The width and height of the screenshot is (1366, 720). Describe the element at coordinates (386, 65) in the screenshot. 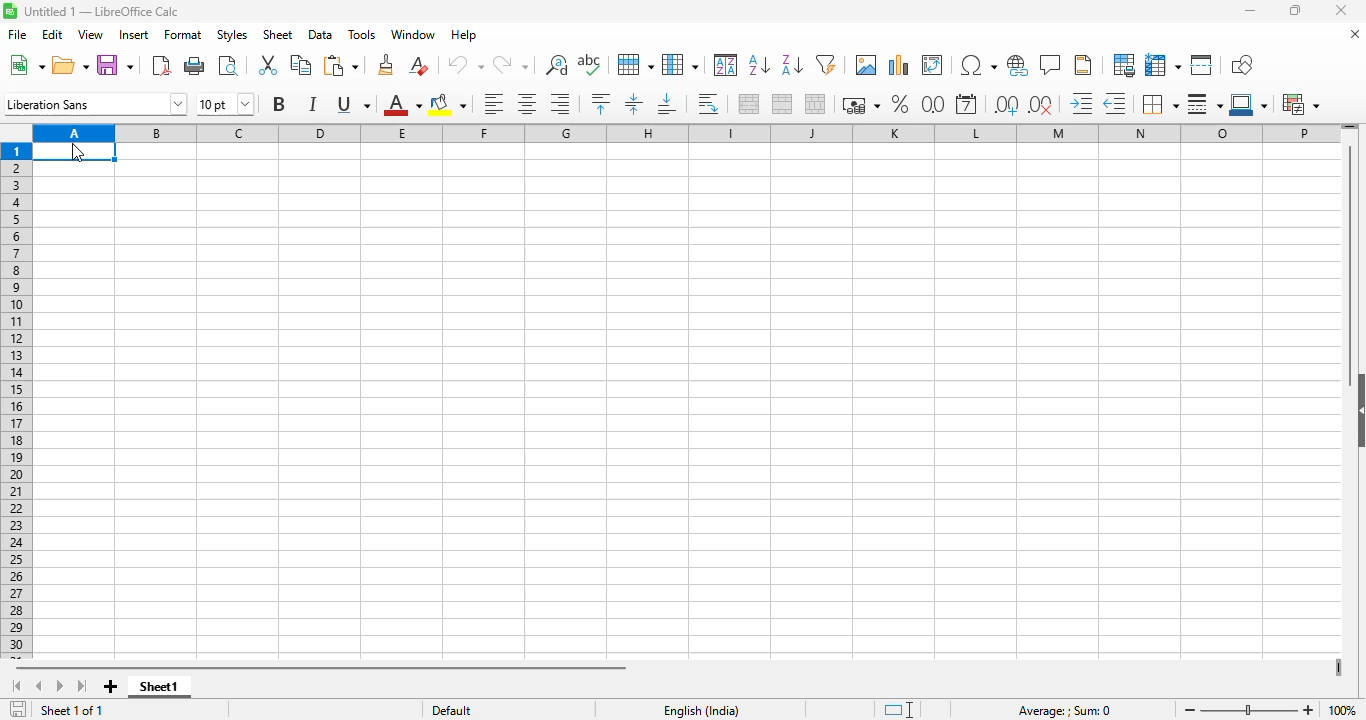

I see `clone formatting` at that location.